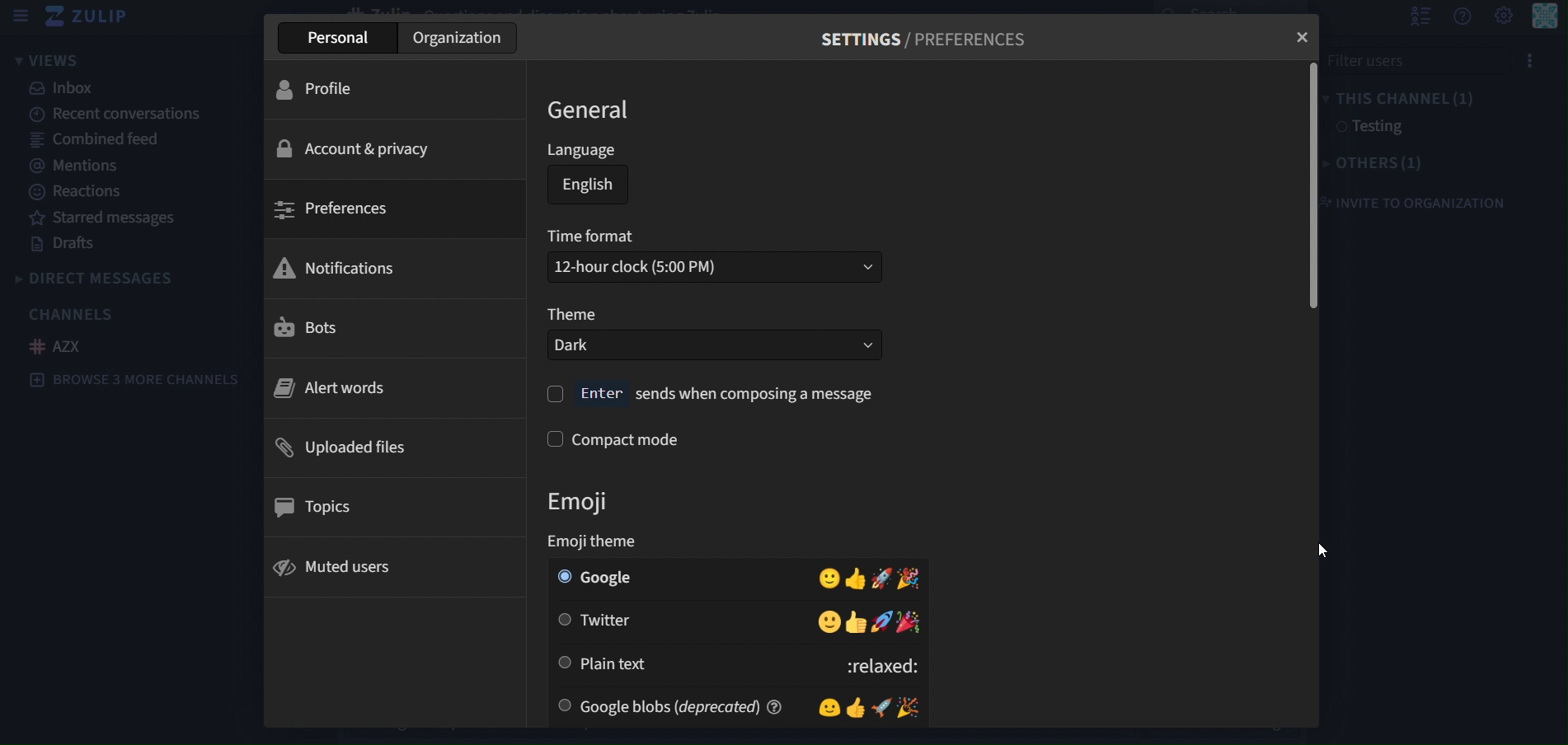  I want to click on organization, so click(458, 40).